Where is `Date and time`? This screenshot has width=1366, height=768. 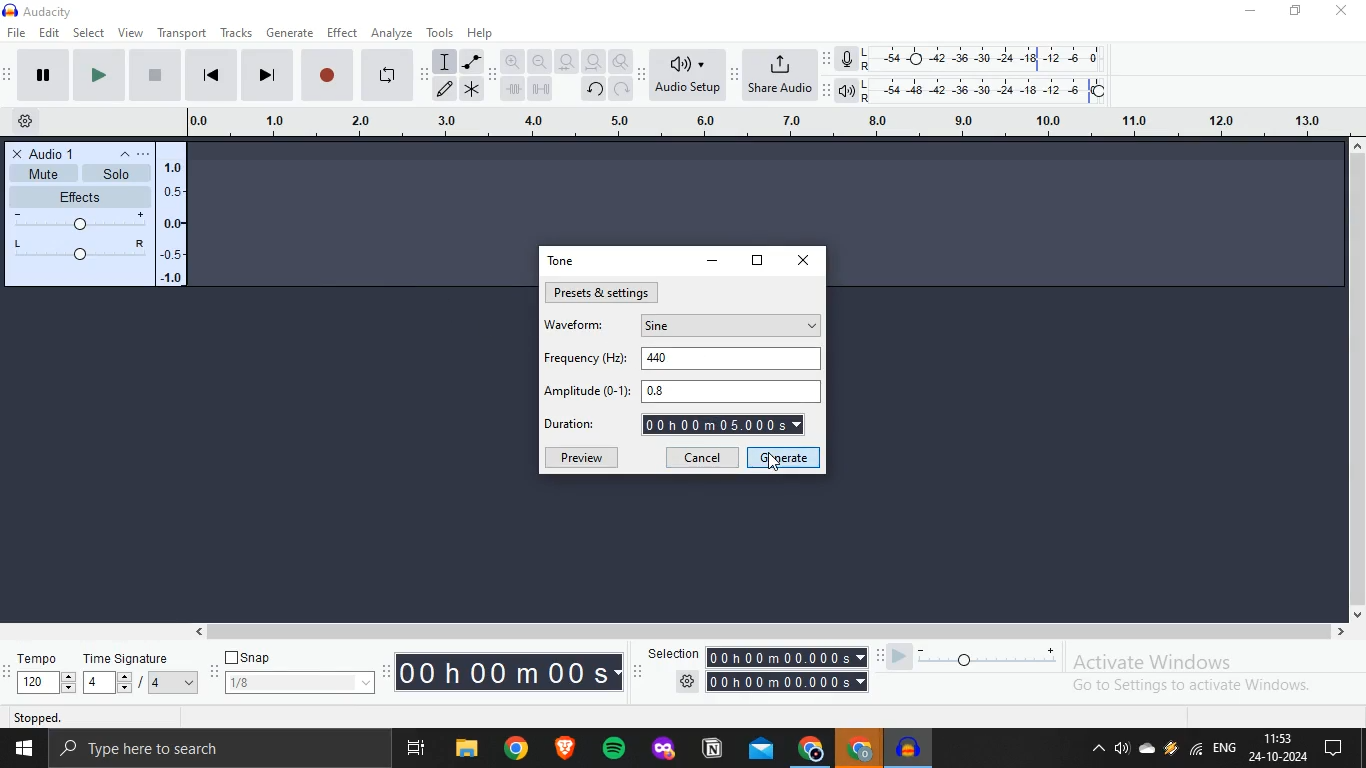
Date and time is located at coordinates (1280, 749).